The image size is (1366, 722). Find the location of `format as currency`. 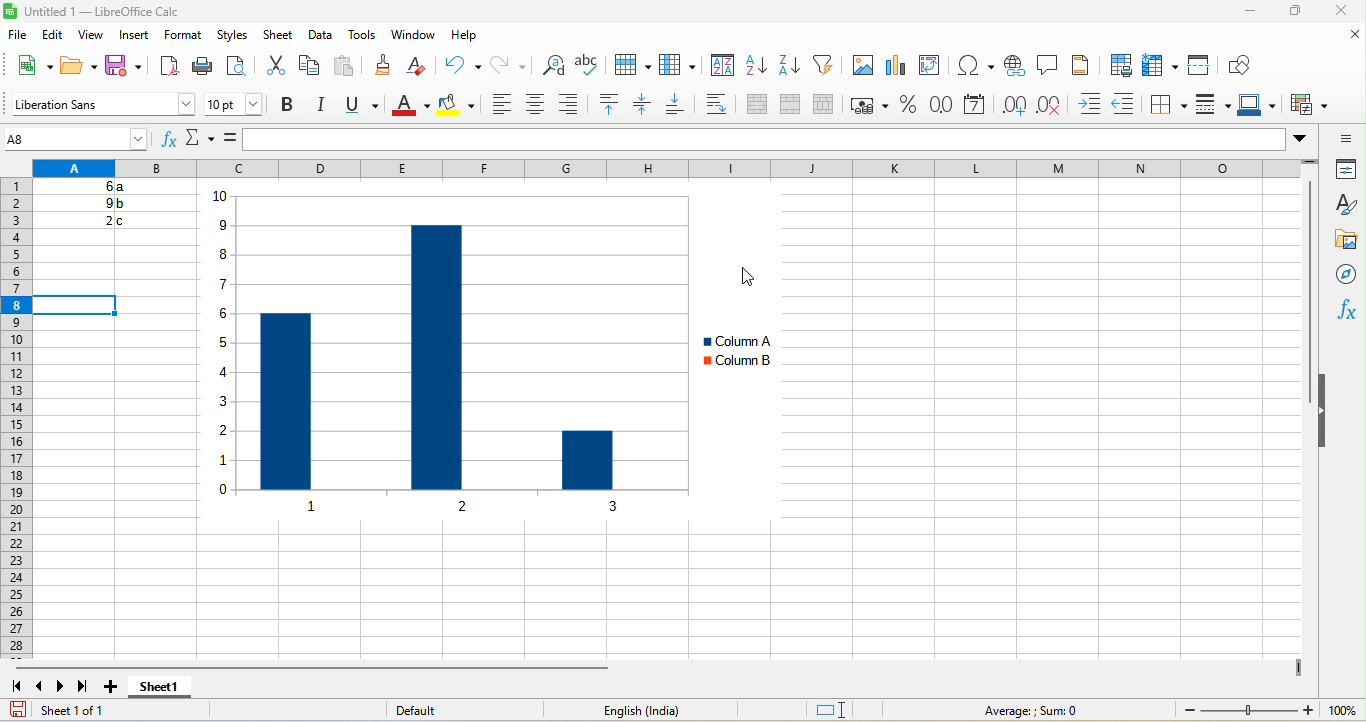

format as currency is located at coordinates (870, 108).